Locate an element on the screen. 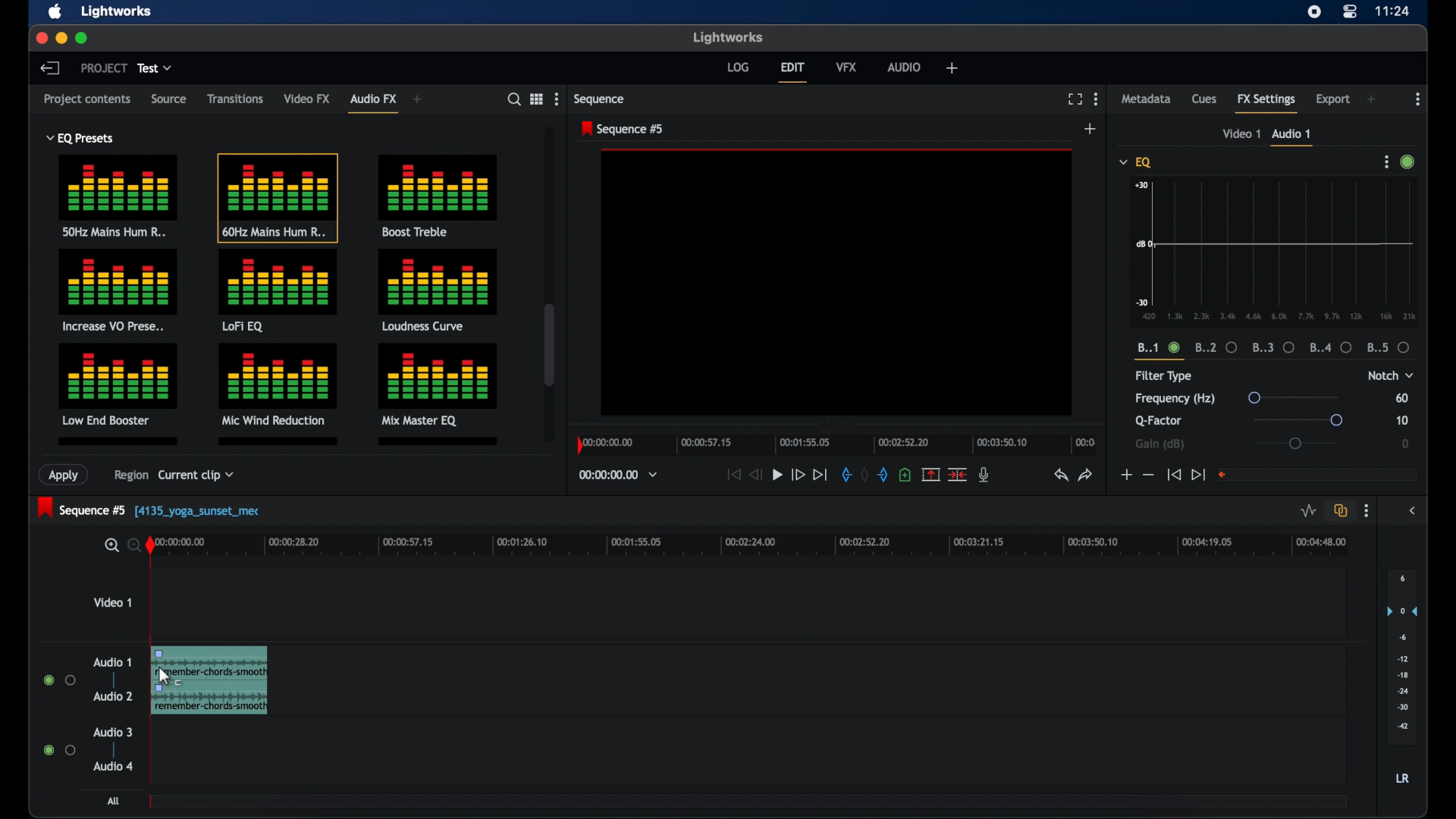 This screenshot has height=819, width=1456. eq is located at coordinates (1137, 162).